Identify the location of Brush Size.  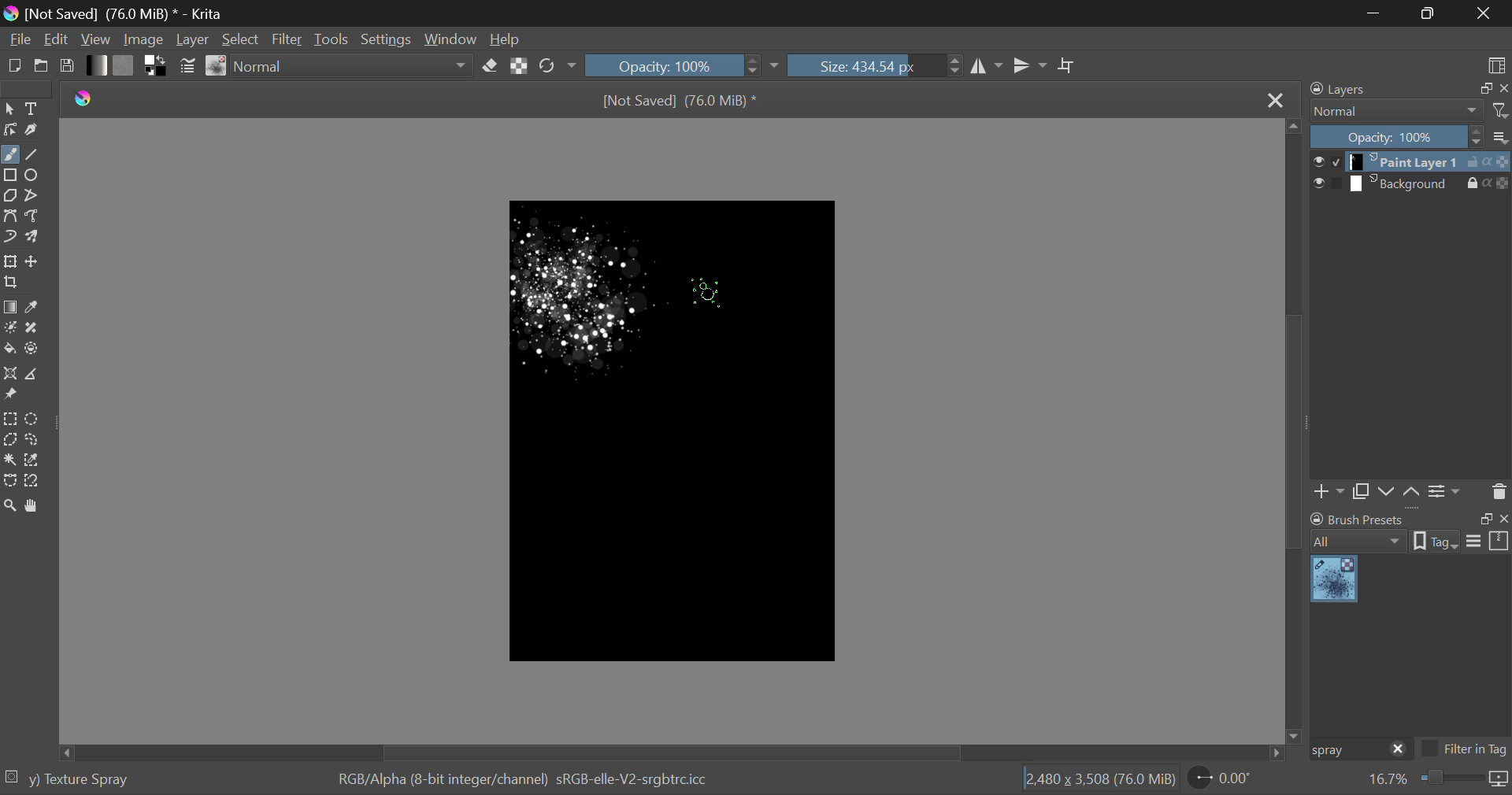
(875, 65).